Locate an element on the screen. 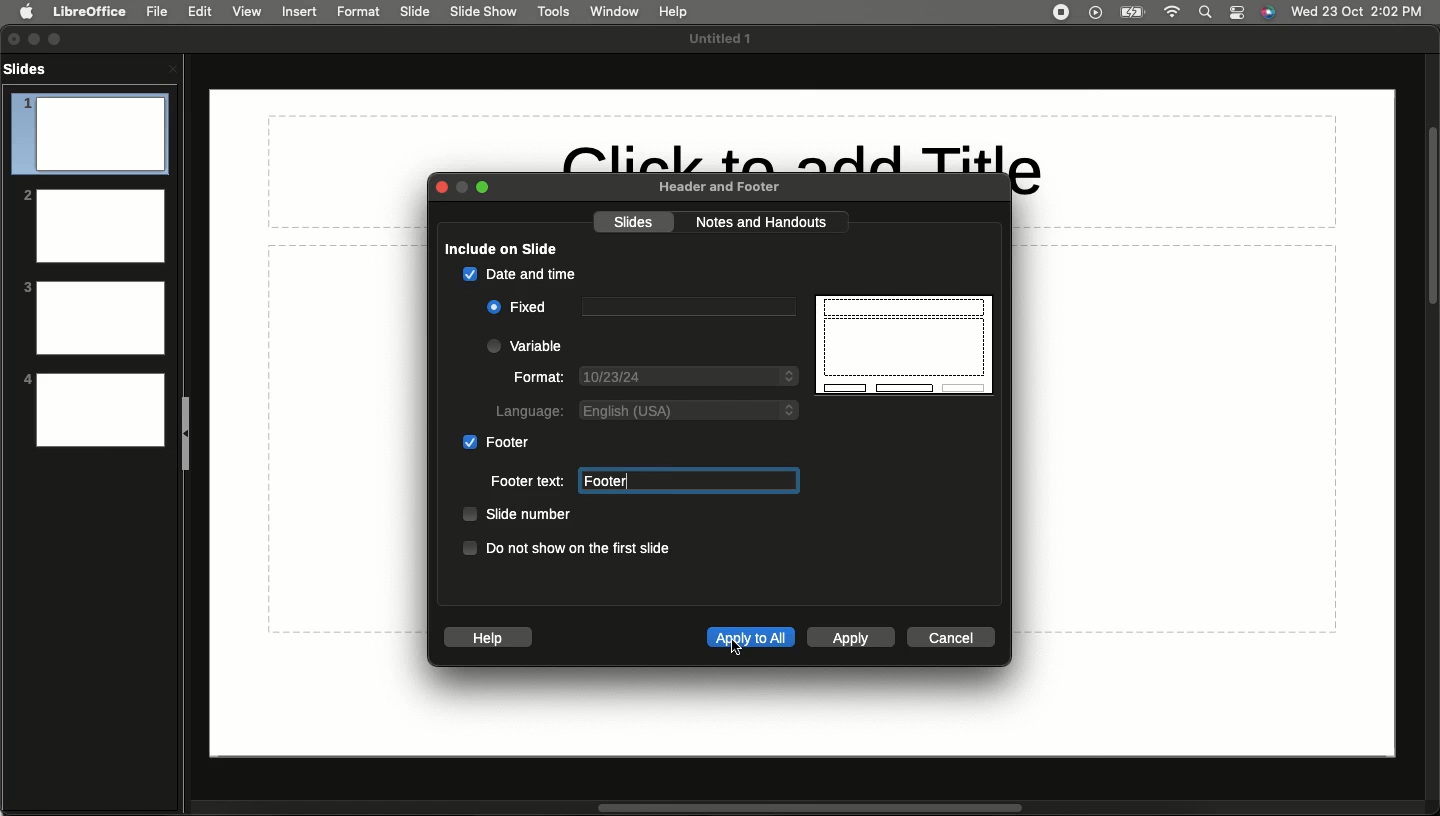  View is located at coordinates (246, 11).